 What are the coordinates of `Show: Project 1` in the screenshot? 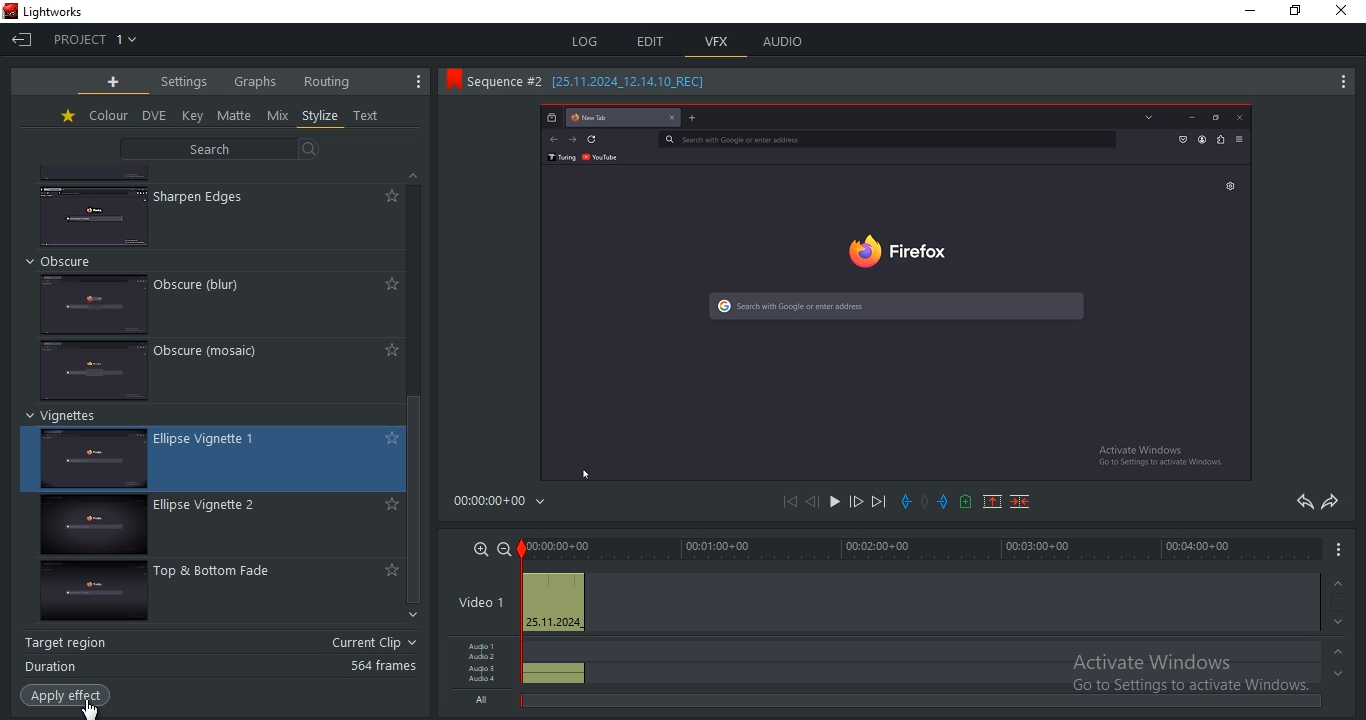 It's located at (99, 39).